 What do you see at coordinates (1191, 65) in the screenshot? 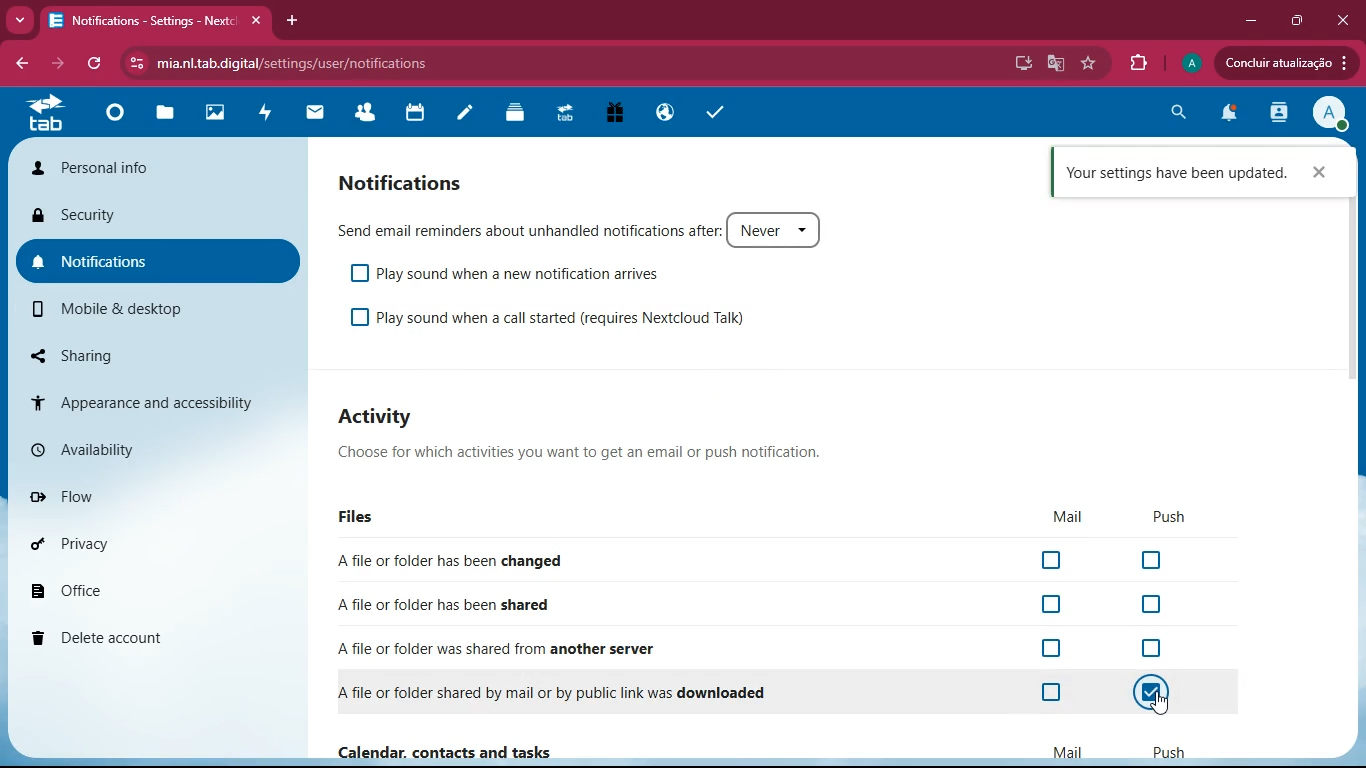
I see `profile` at bounding box center [1191, 65].